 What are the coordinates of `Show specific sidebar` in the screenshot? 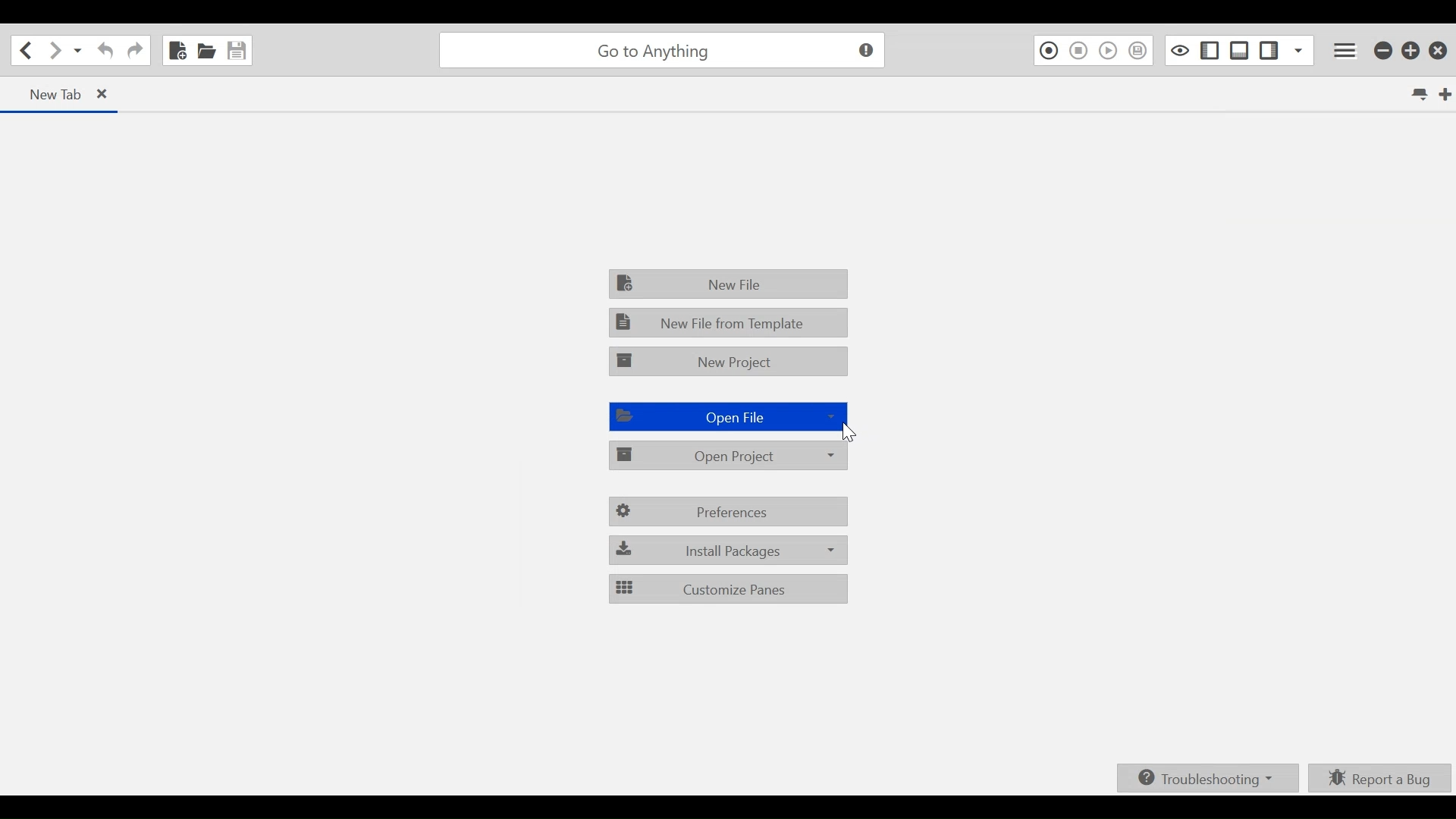 It's located at (1298, 49).